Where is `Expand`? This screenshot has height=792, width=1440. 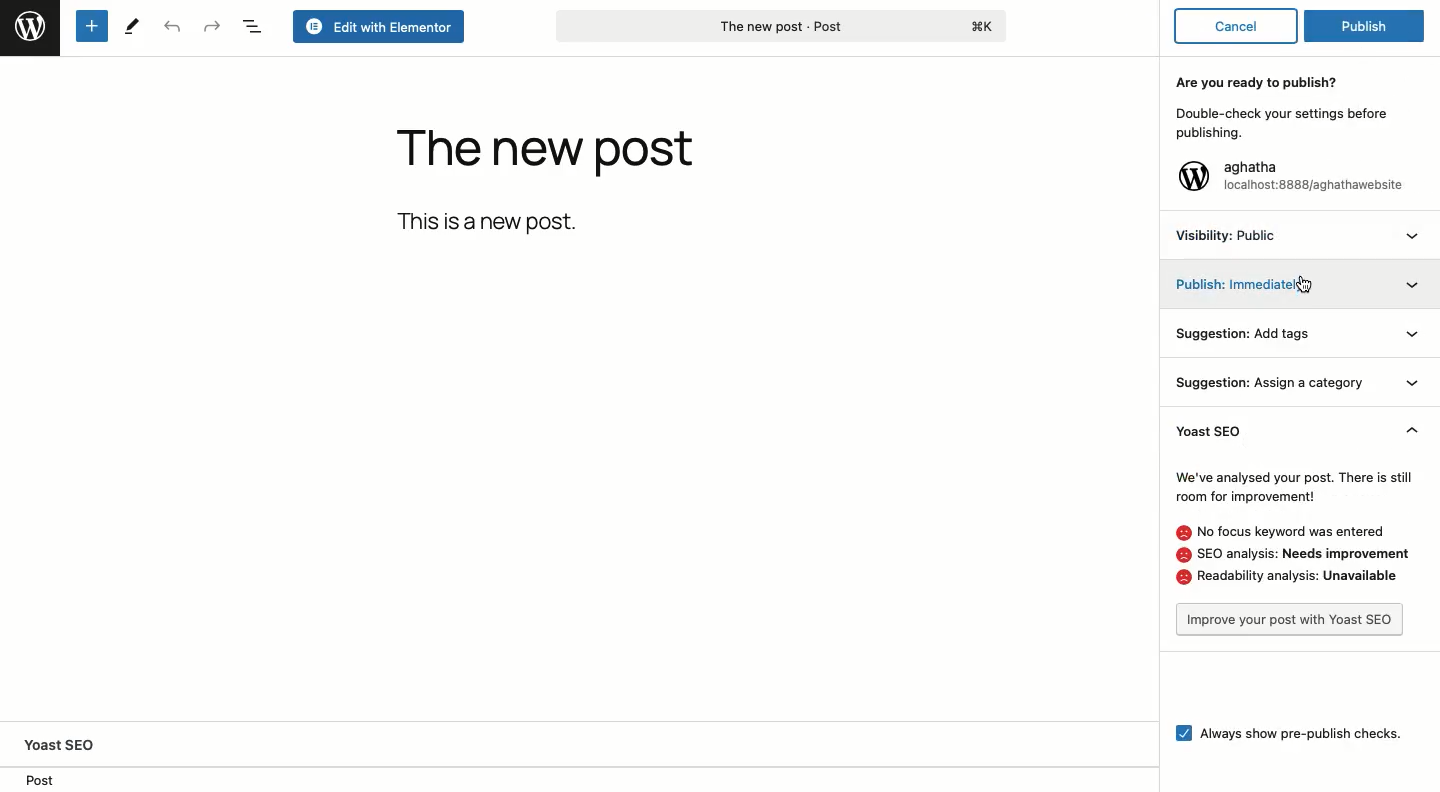 Expand is located at coordinates (1414, 236).